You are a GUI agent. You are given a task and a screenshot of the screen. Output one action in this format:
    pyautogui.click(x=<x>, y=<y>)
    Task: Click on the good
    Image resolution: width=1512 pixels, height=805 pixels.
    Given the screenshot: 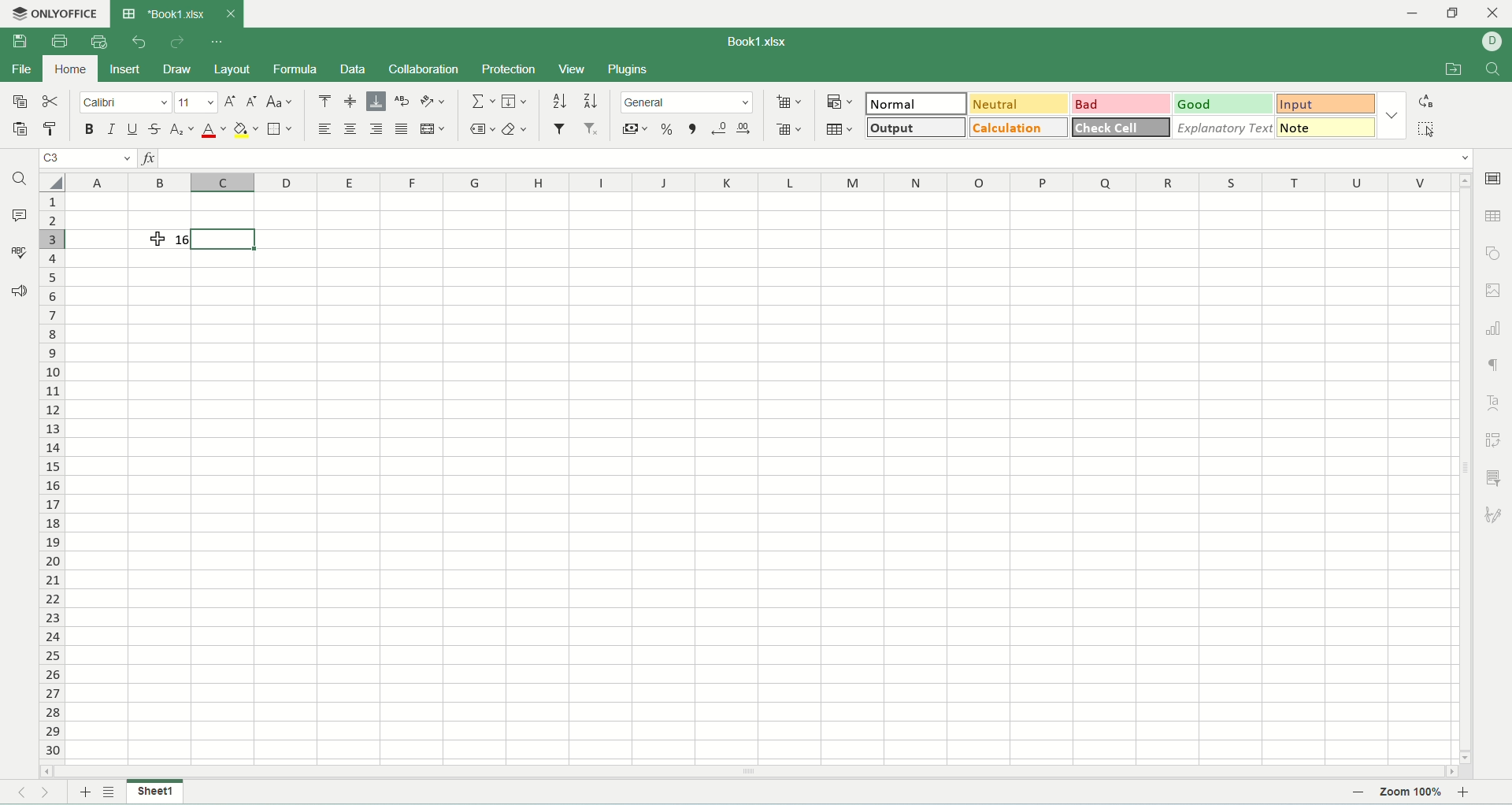 What is the action you would take?
    pyautogui.click(x=1230, y=104)
    